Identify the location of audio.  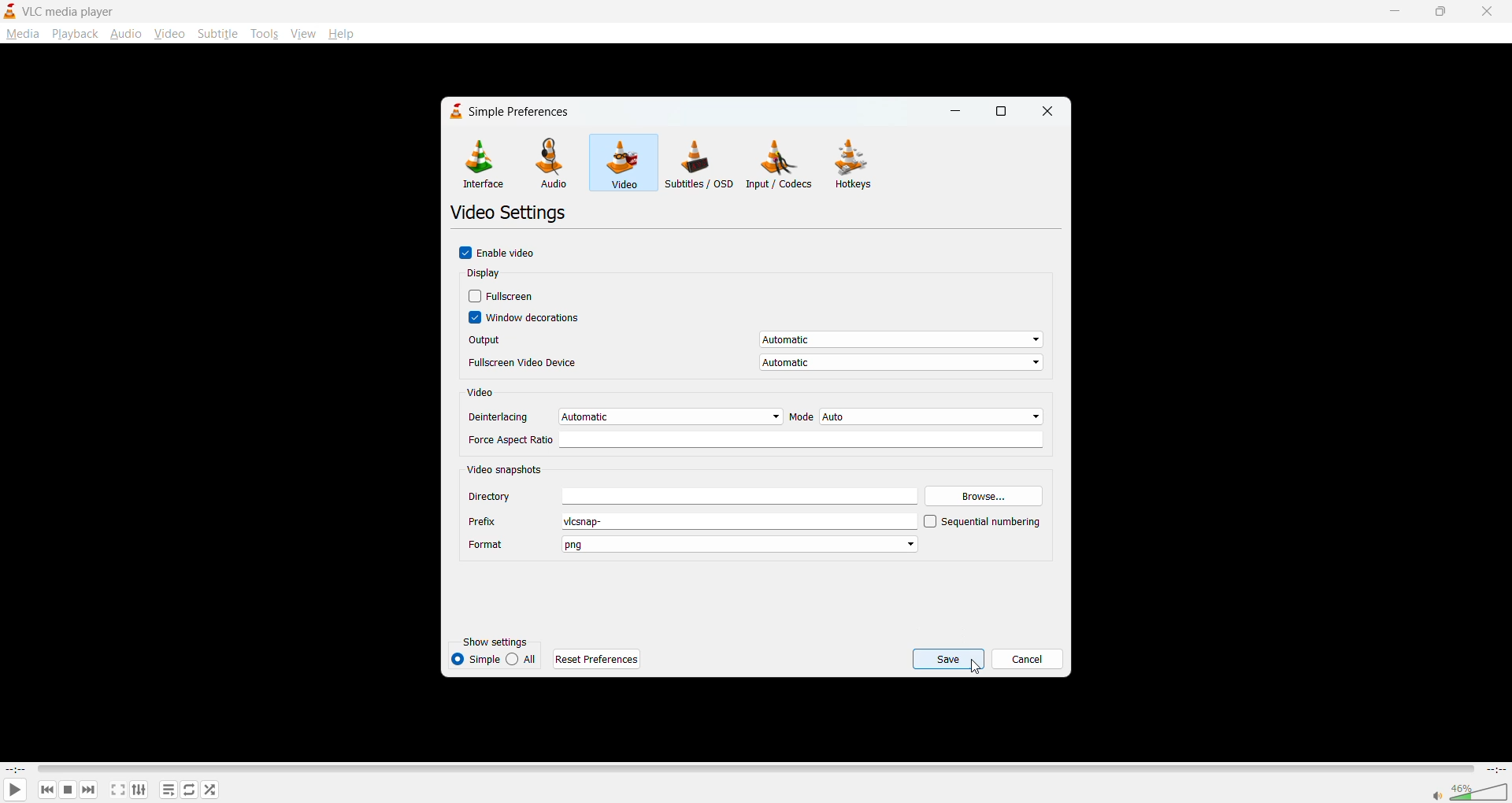
(127, 35).